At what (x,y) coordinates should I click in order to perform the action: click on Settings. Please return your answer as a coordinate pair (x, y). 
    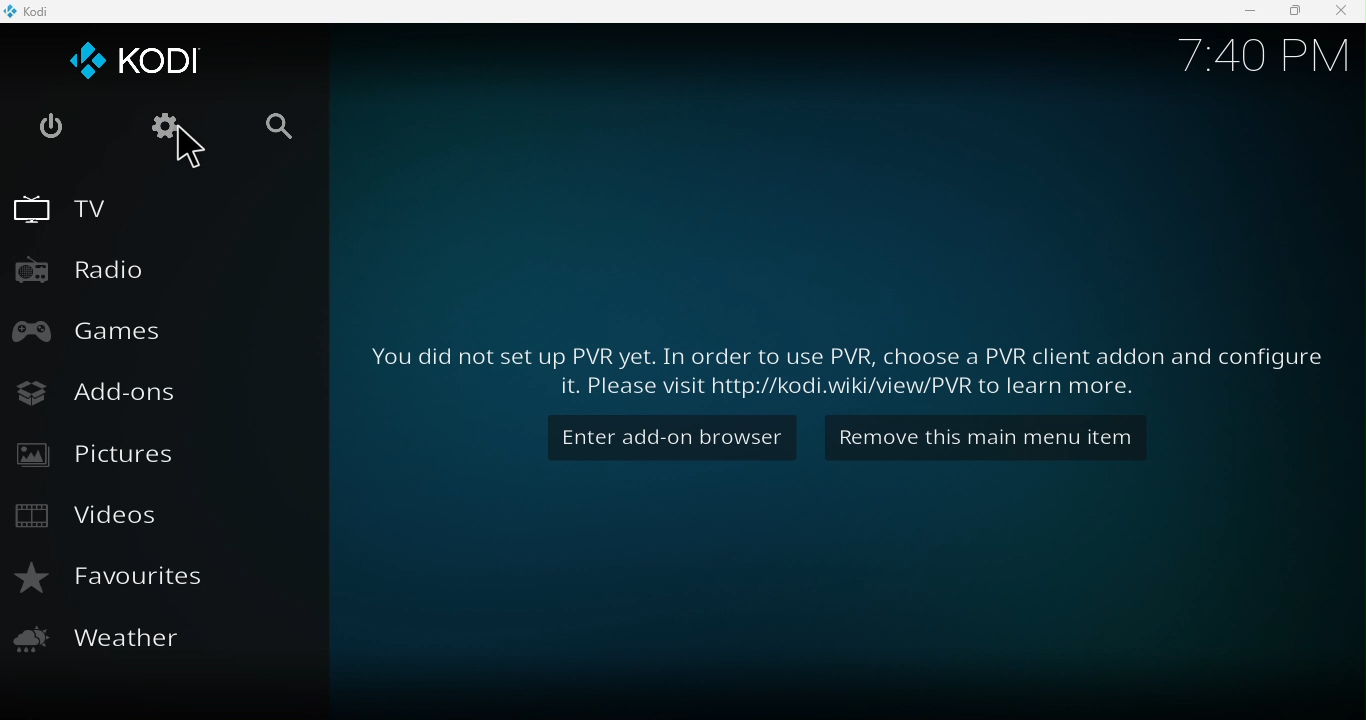
    Looking at the image, I should click on (161, 130).